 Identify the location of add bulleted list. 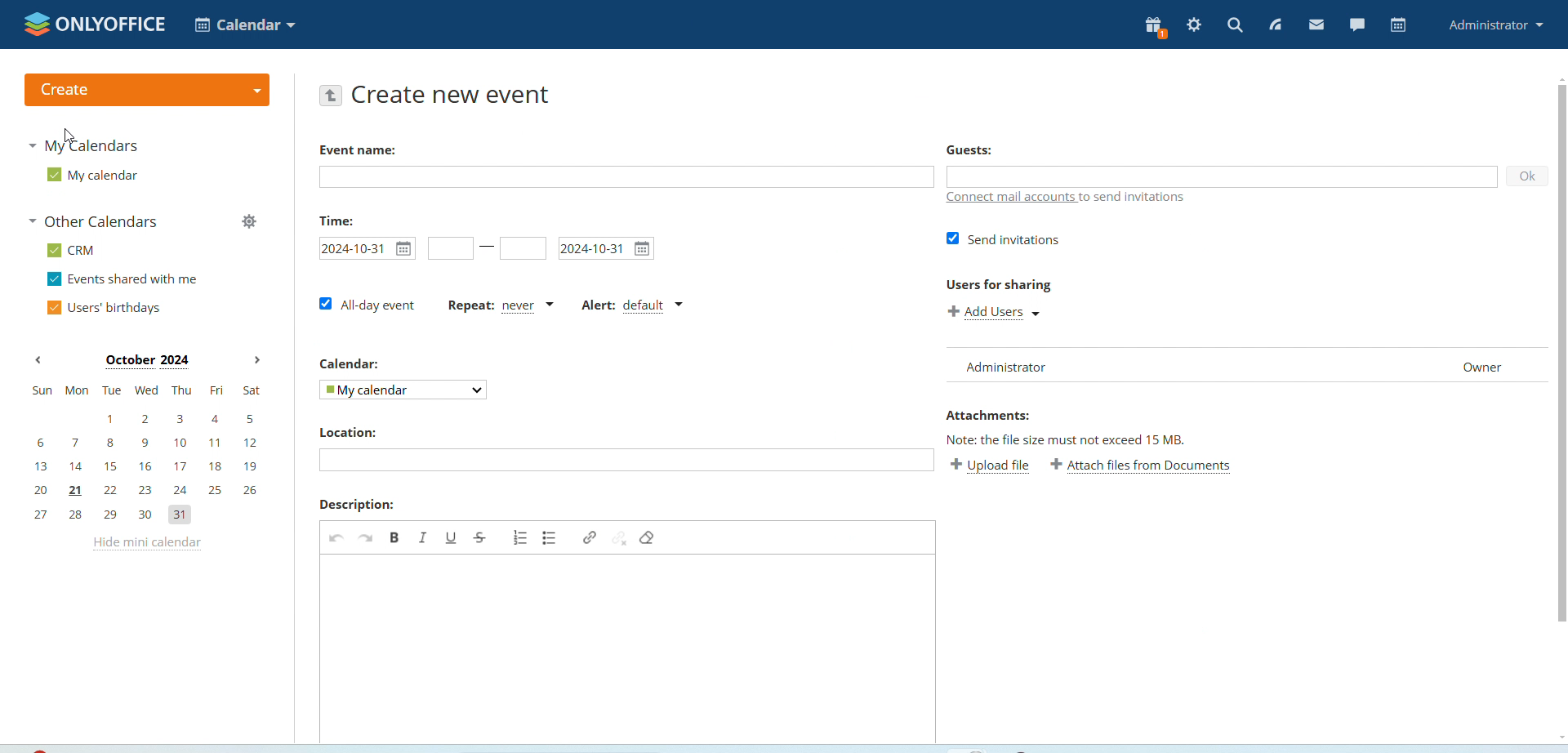
(549, 538).